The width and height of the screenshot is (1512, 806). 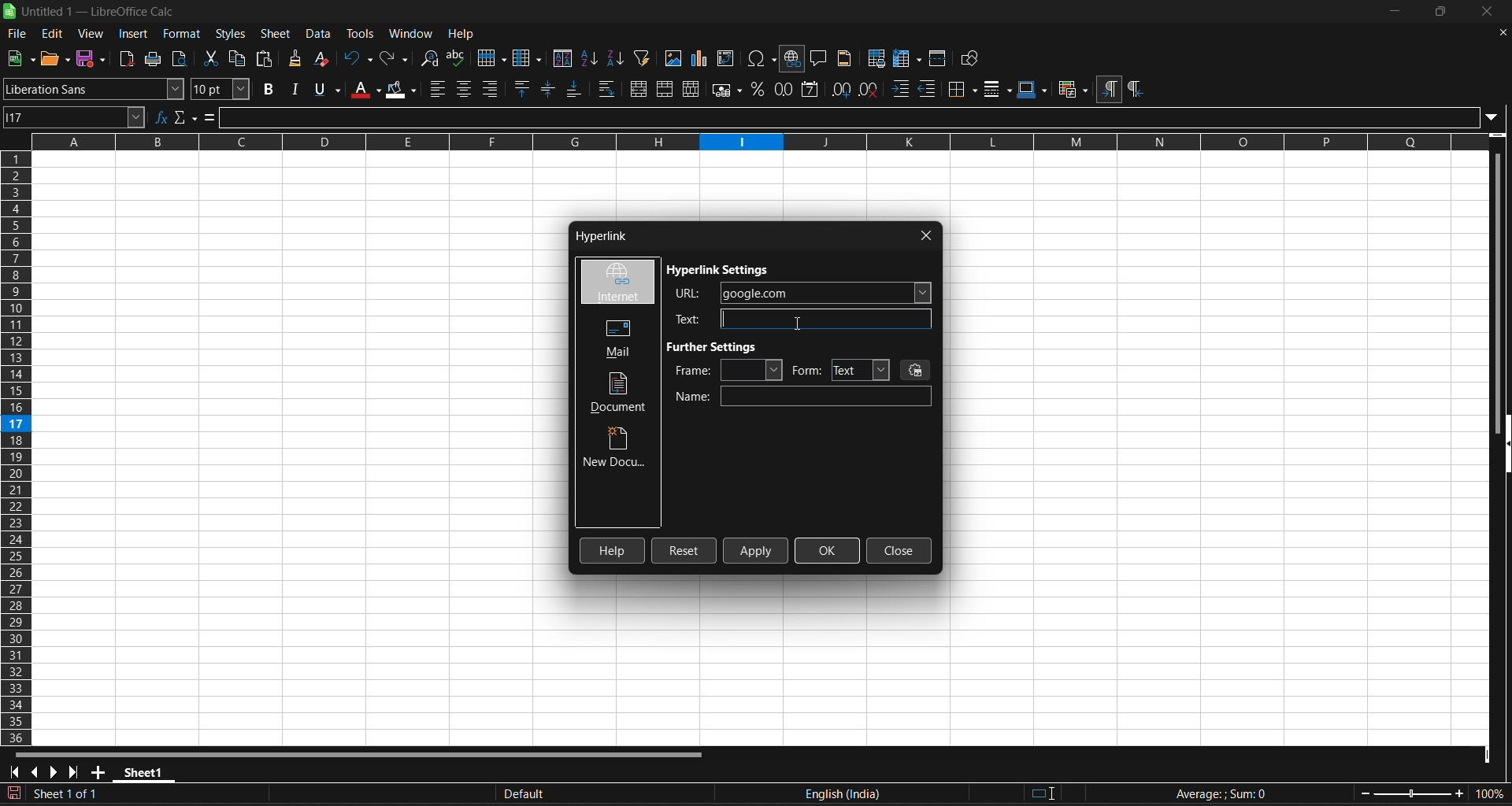 What do you see at coordinates (210, 57) in the screenshot?
I see `cut` at bounding box center [210, 57].